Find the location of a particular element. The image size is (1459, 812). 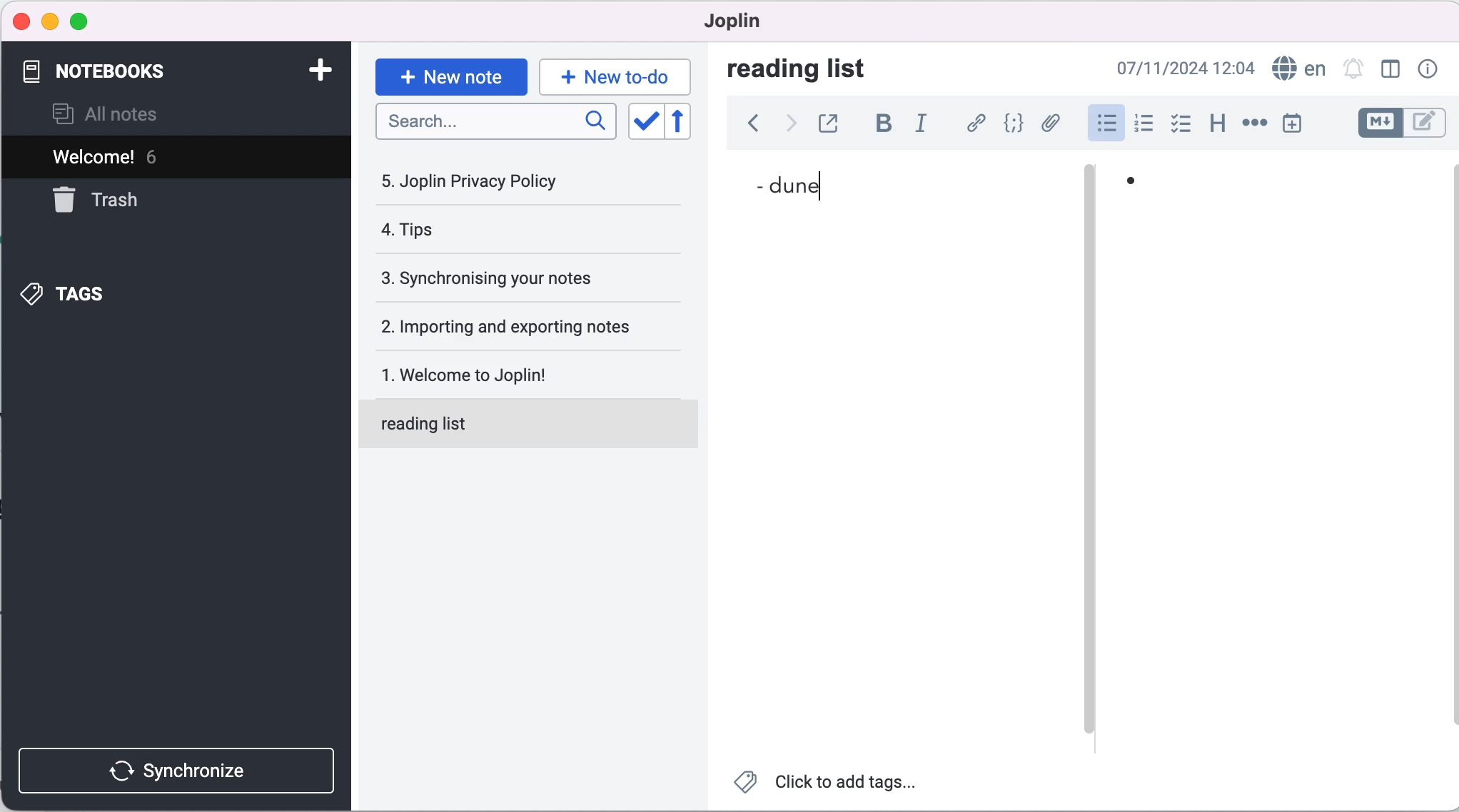

toggle editor layout is located at coordinates (1387, 70).